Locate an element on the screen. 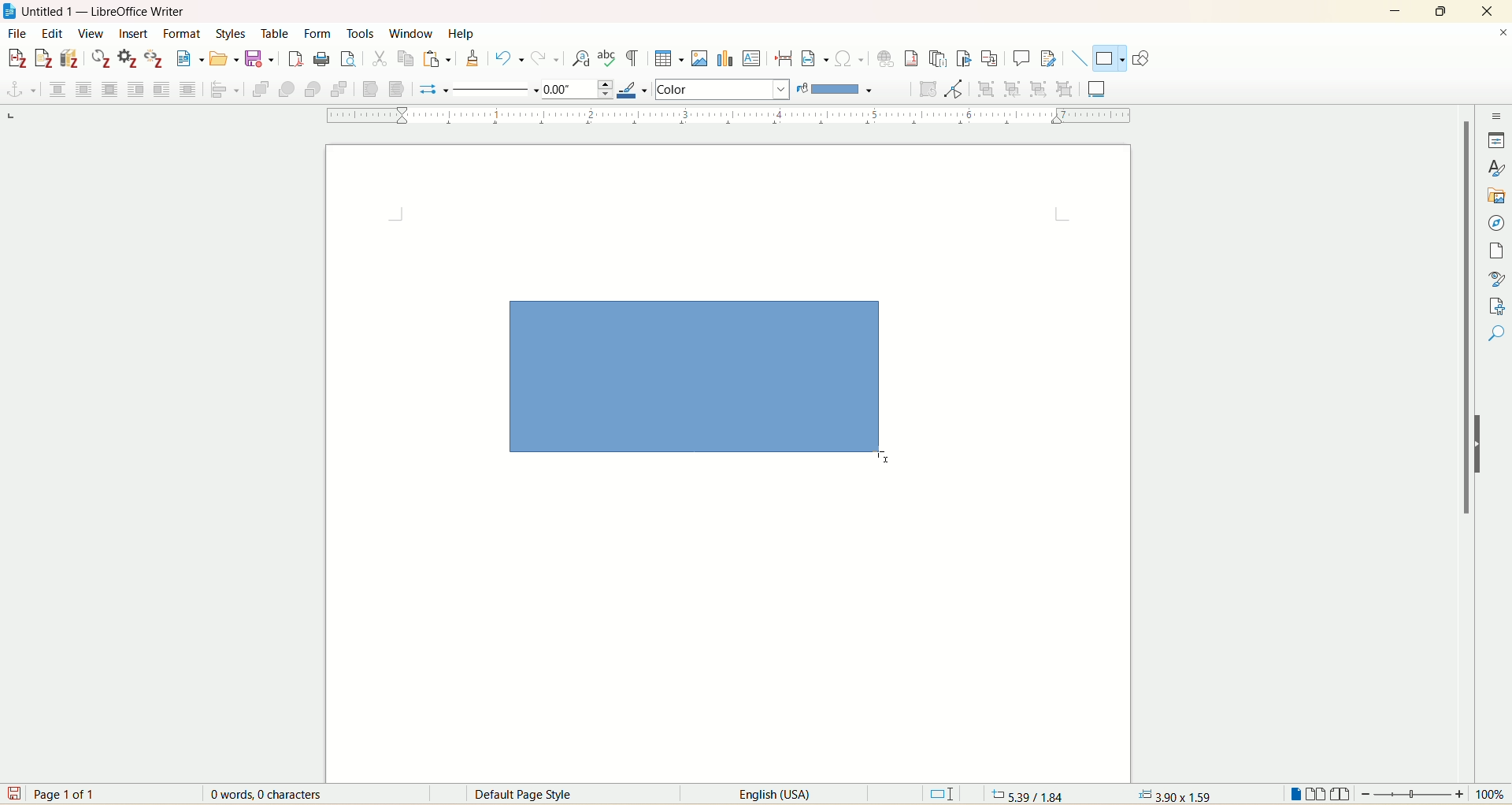 The image size is (1512, 805). book view is located at coordinates (1340, 794).